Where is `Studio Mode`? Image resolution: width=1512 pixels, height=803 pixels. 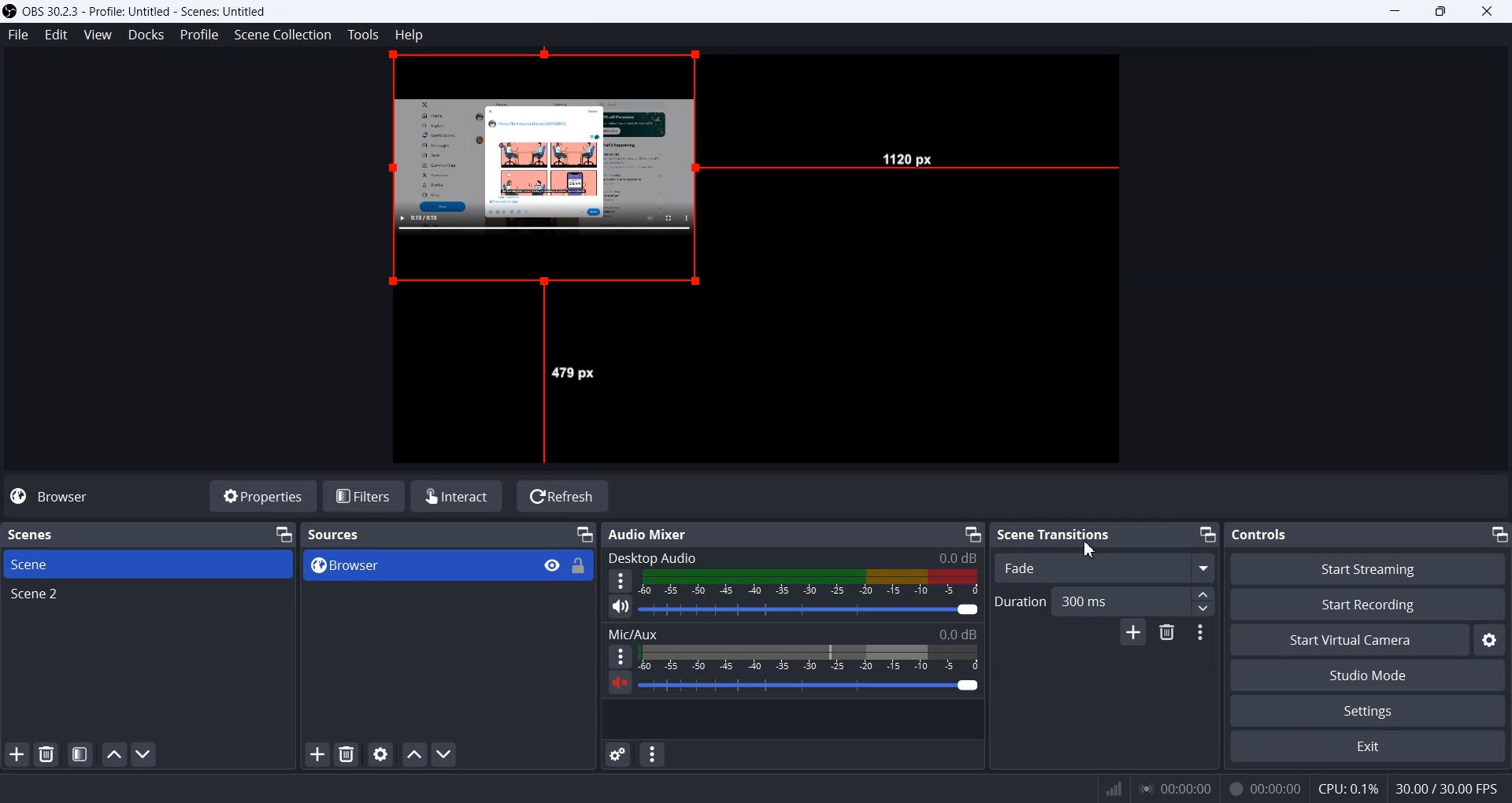
Studio Mode is located at coordinates (1370, 675).